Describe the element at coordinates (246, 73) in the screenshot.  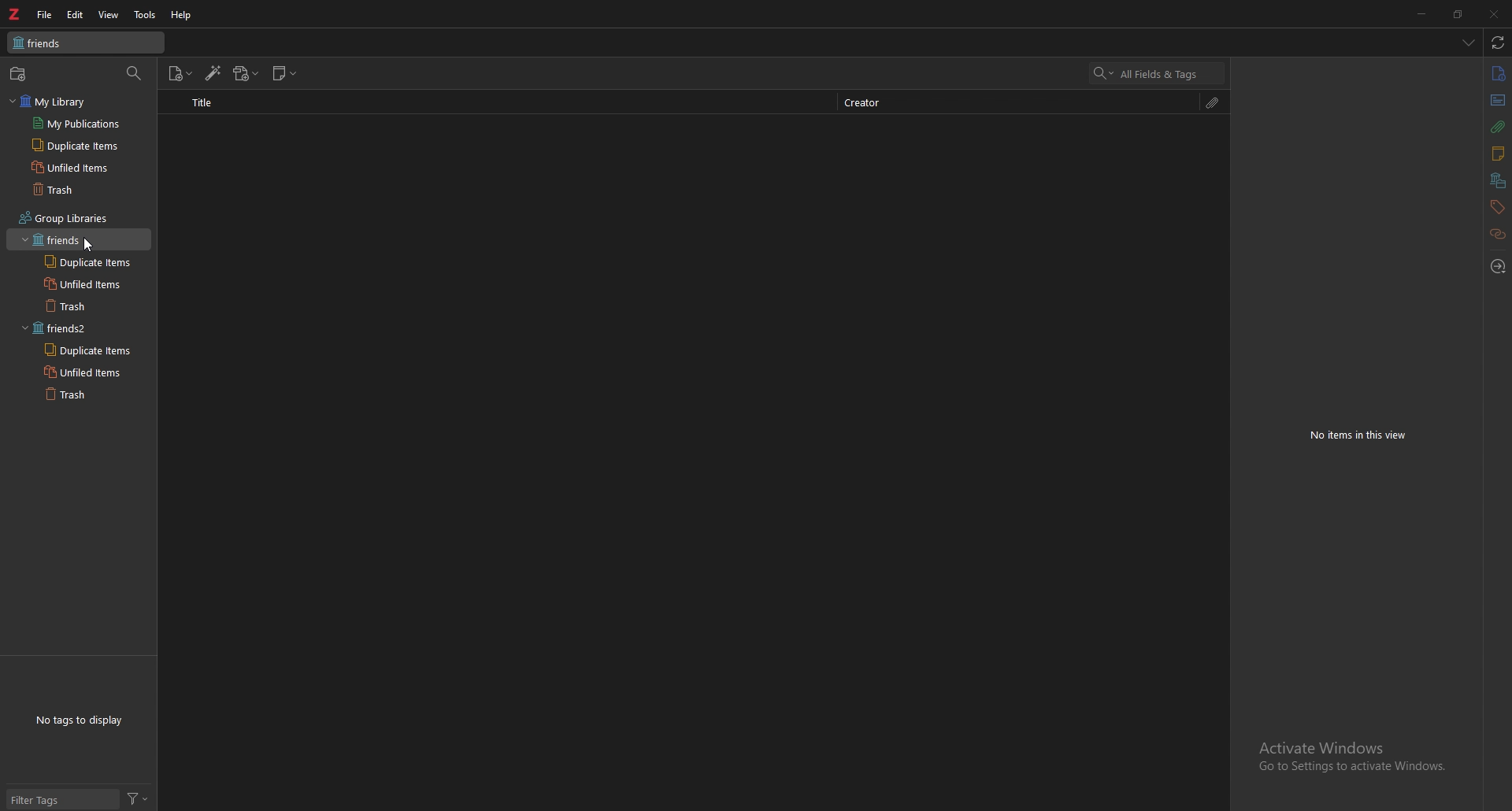
I see `add attachment` at that location.